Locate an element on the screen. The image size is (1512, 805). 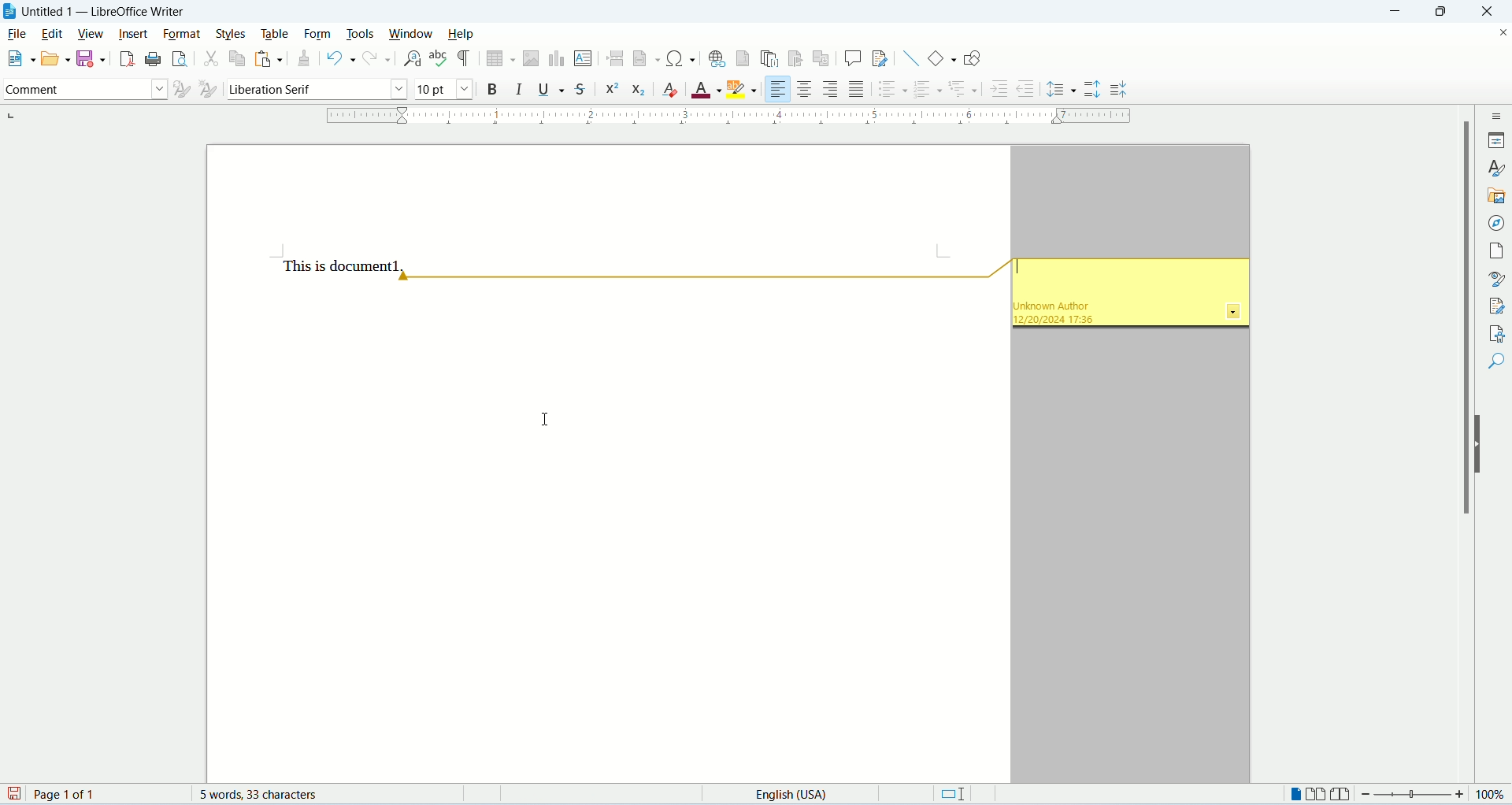
undo is located at coordinates (341, 61).